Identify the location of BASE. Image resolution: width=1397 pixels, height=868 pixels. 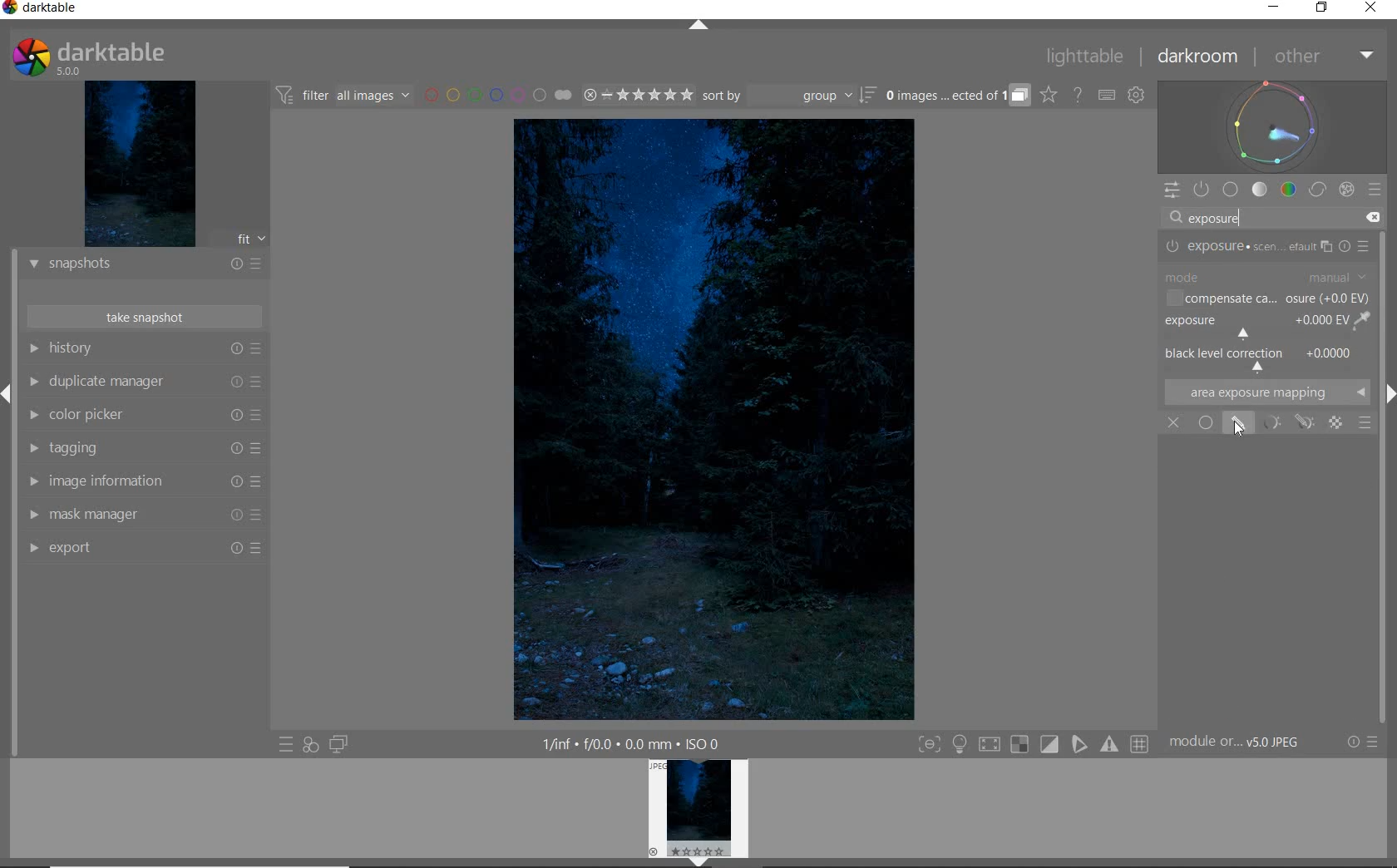
(1231, 189).